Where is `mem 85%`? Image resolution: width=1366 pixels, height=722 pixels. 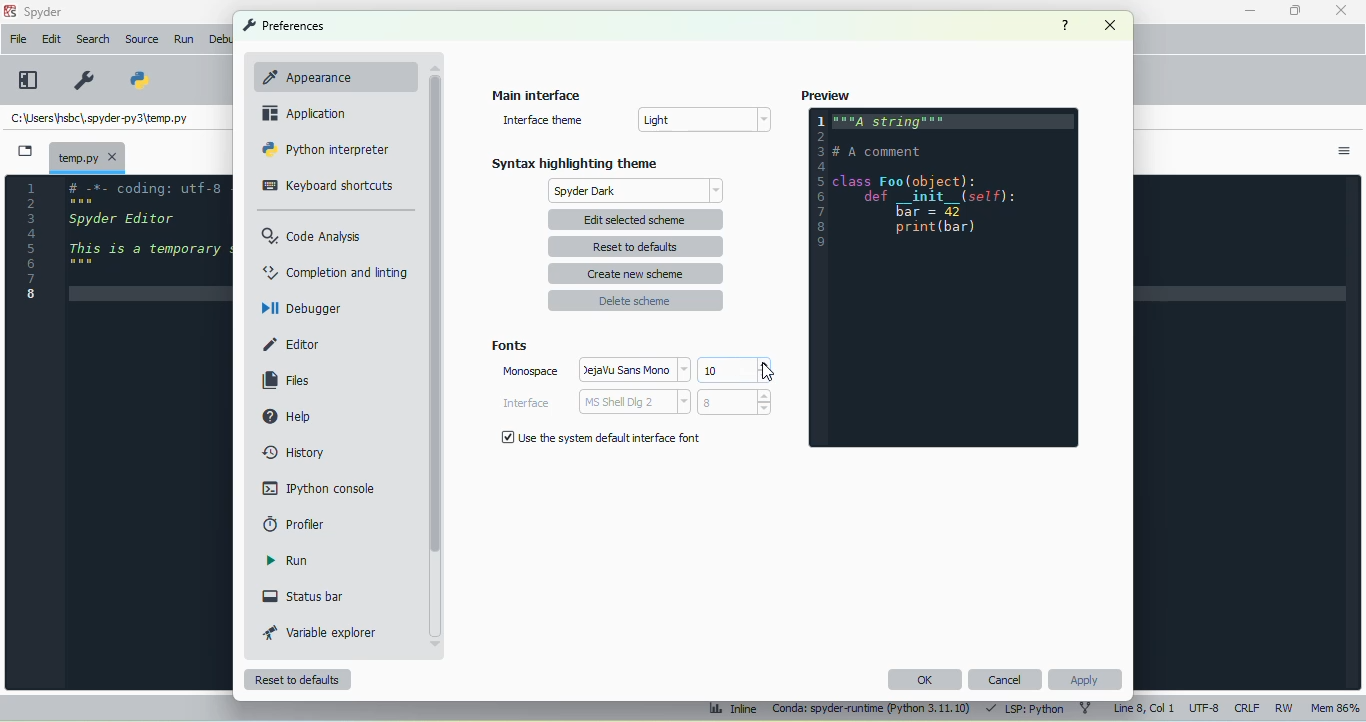
mem 85% is located at coordinates (1334, 707).